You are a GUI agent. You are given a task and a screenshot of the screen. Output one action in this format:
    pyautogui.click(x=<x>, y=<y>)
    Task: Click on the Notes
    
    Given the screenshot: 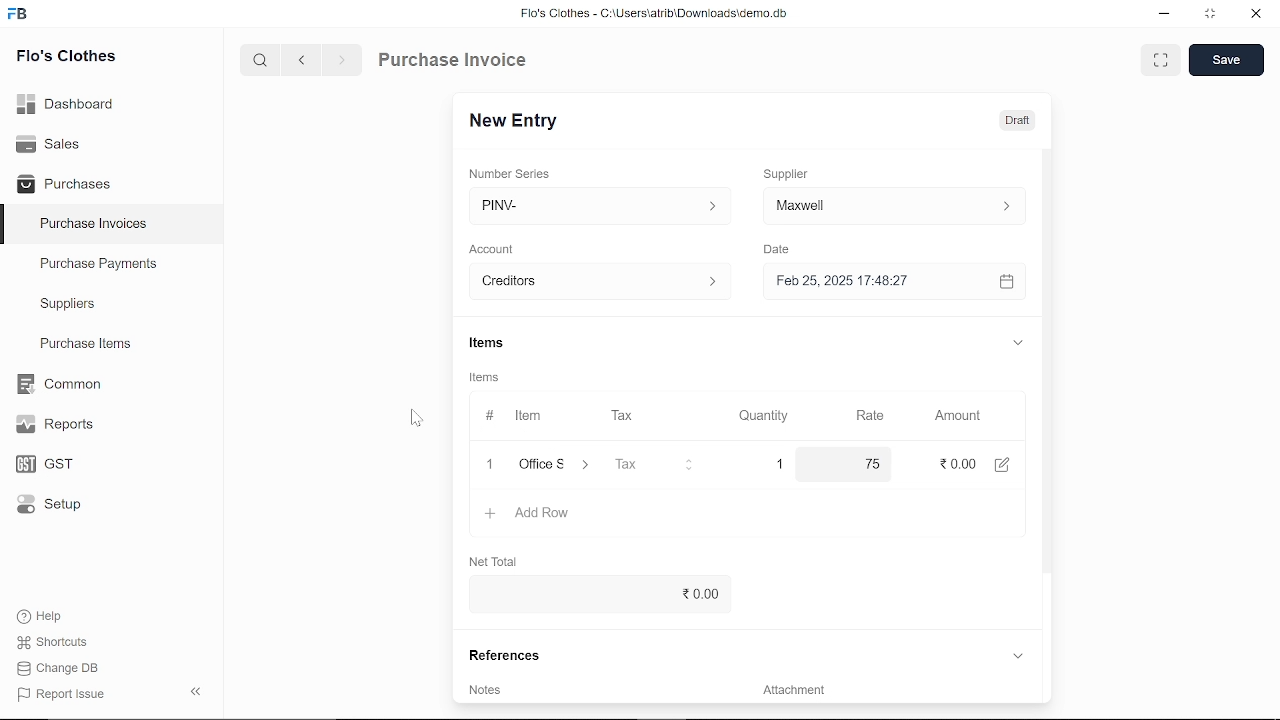 What is the action you would take?
    pyautogui.click(x=487, y=689)
    